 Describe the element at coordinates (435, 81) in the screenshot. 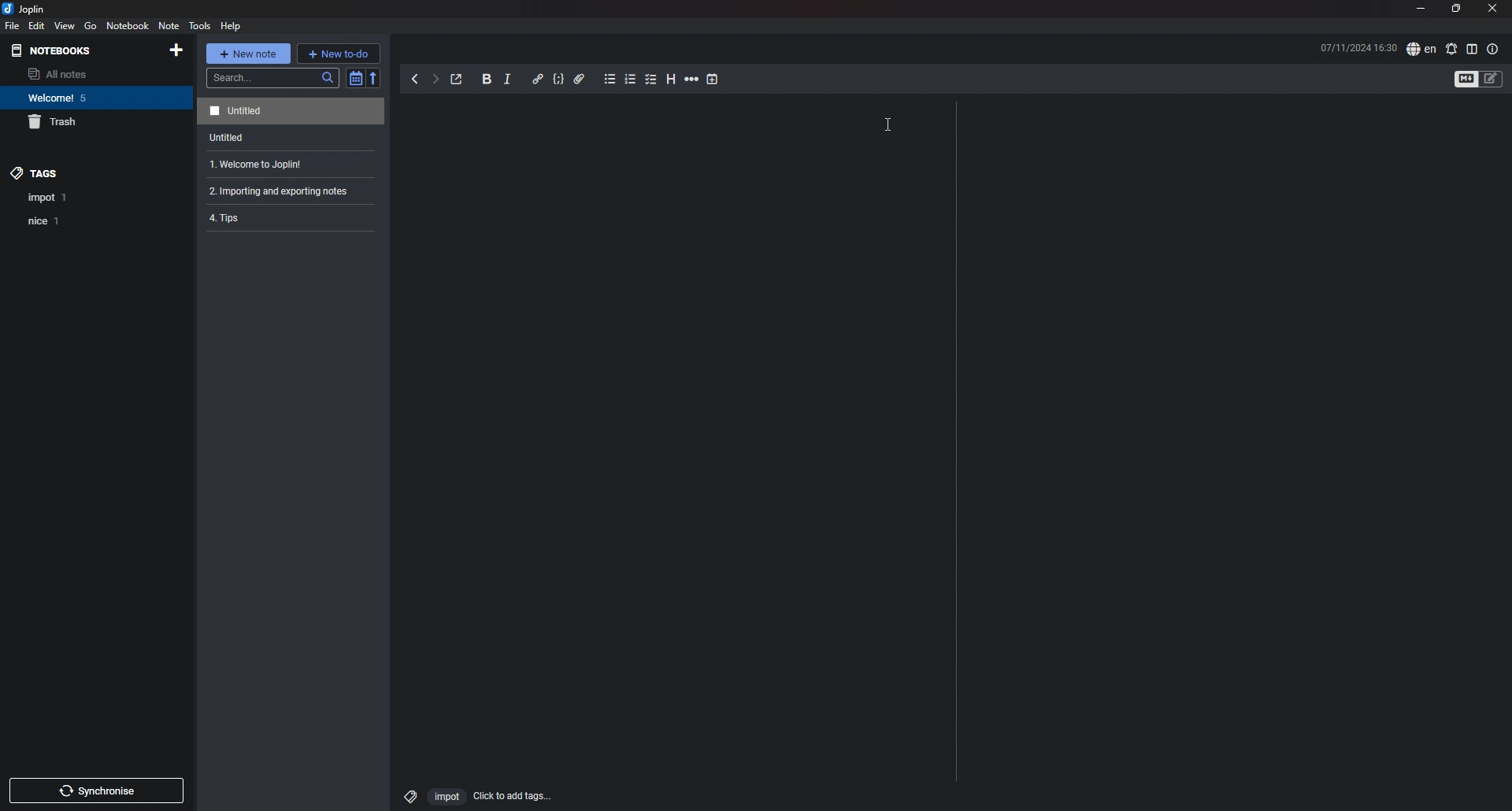

I see `forward` at that location.